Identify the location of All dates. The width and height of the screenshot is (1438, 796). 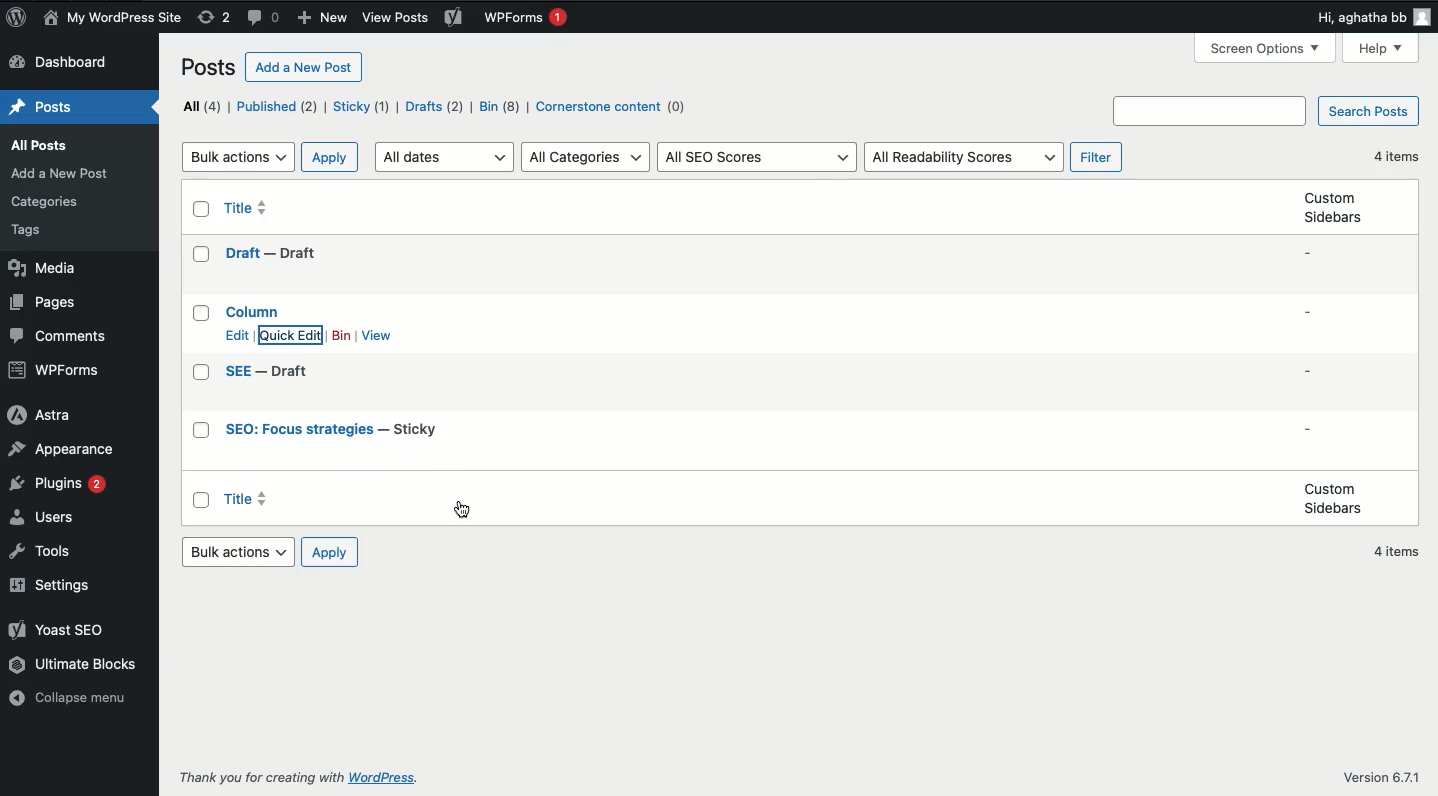
(447, 156).